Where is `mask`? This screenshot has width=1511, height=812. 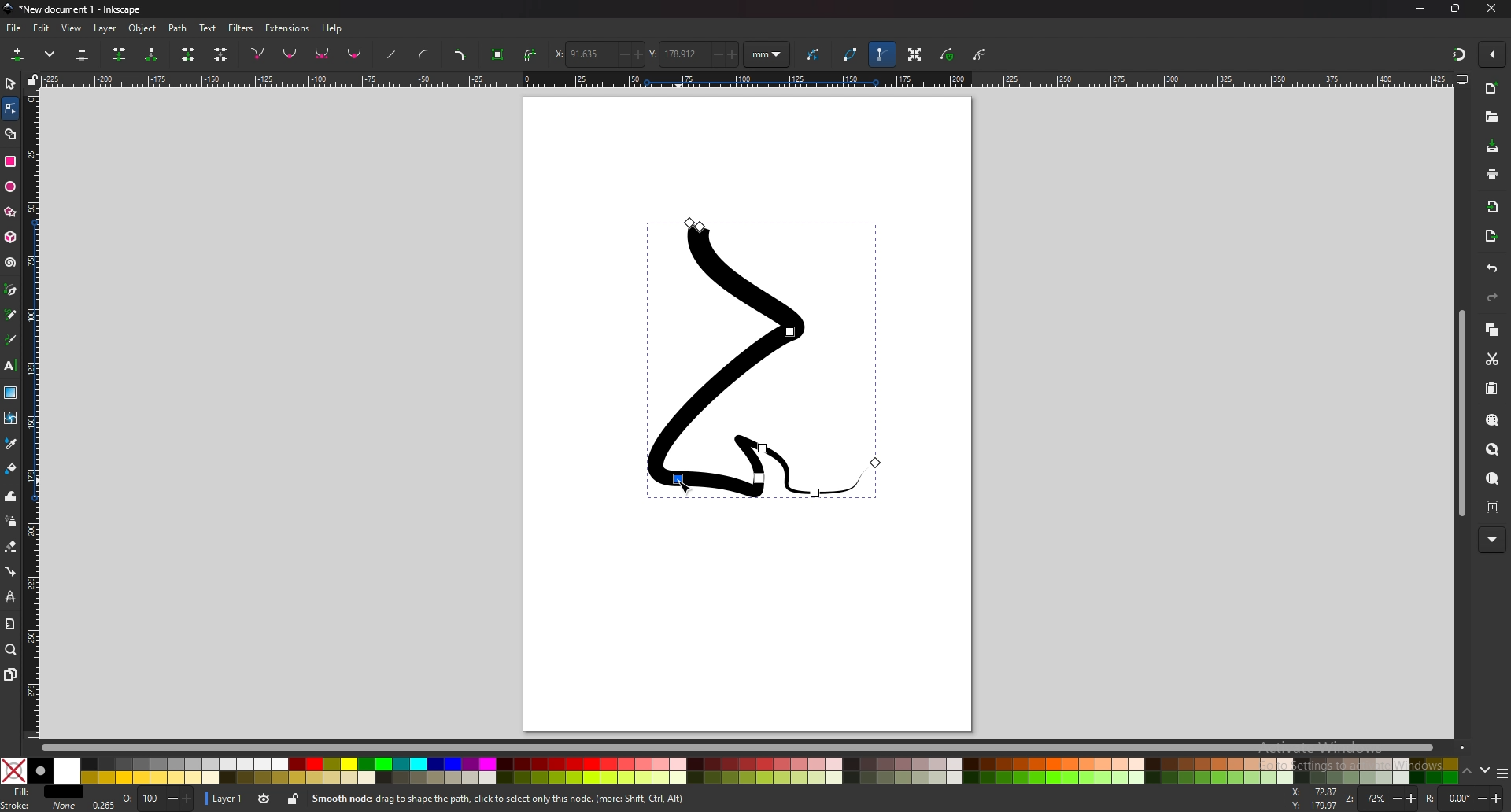 mask is located at coordinates (948, 55).